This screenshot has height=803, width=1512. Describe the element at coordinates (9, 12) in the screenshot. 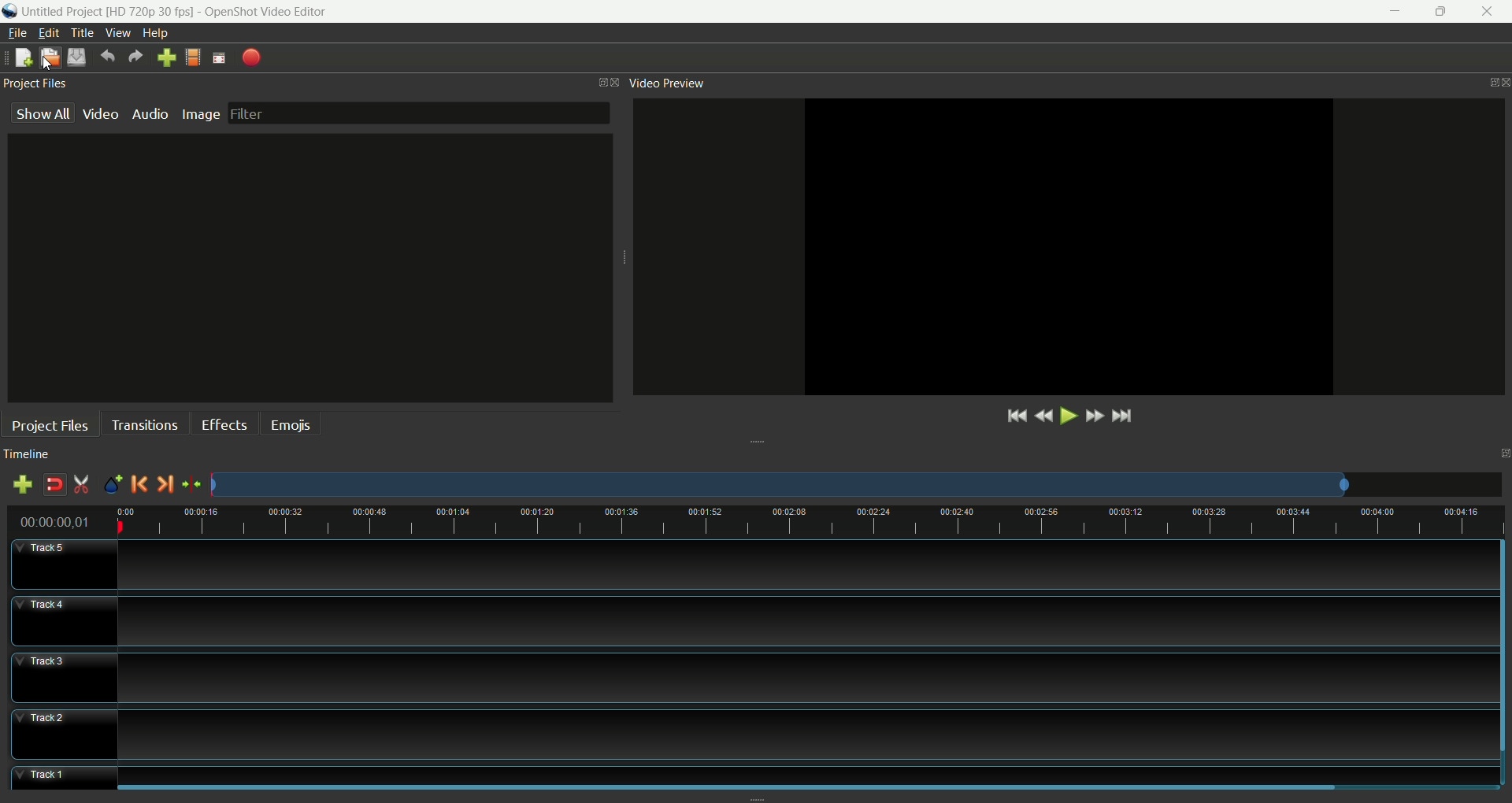

I see `logo` at that location.